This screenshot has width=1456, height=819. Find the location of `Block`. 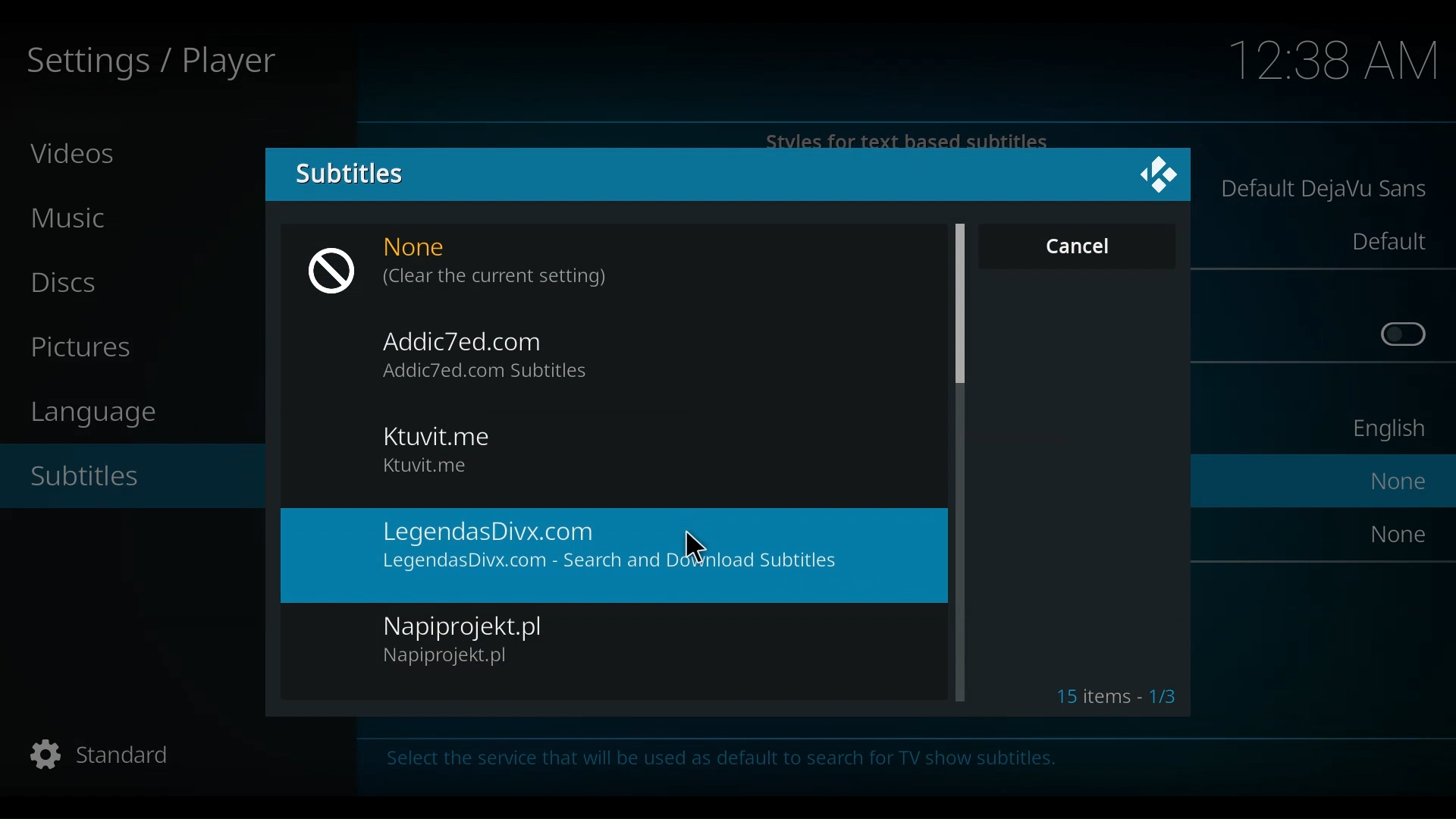

Block is located at coordinates (337, 271).